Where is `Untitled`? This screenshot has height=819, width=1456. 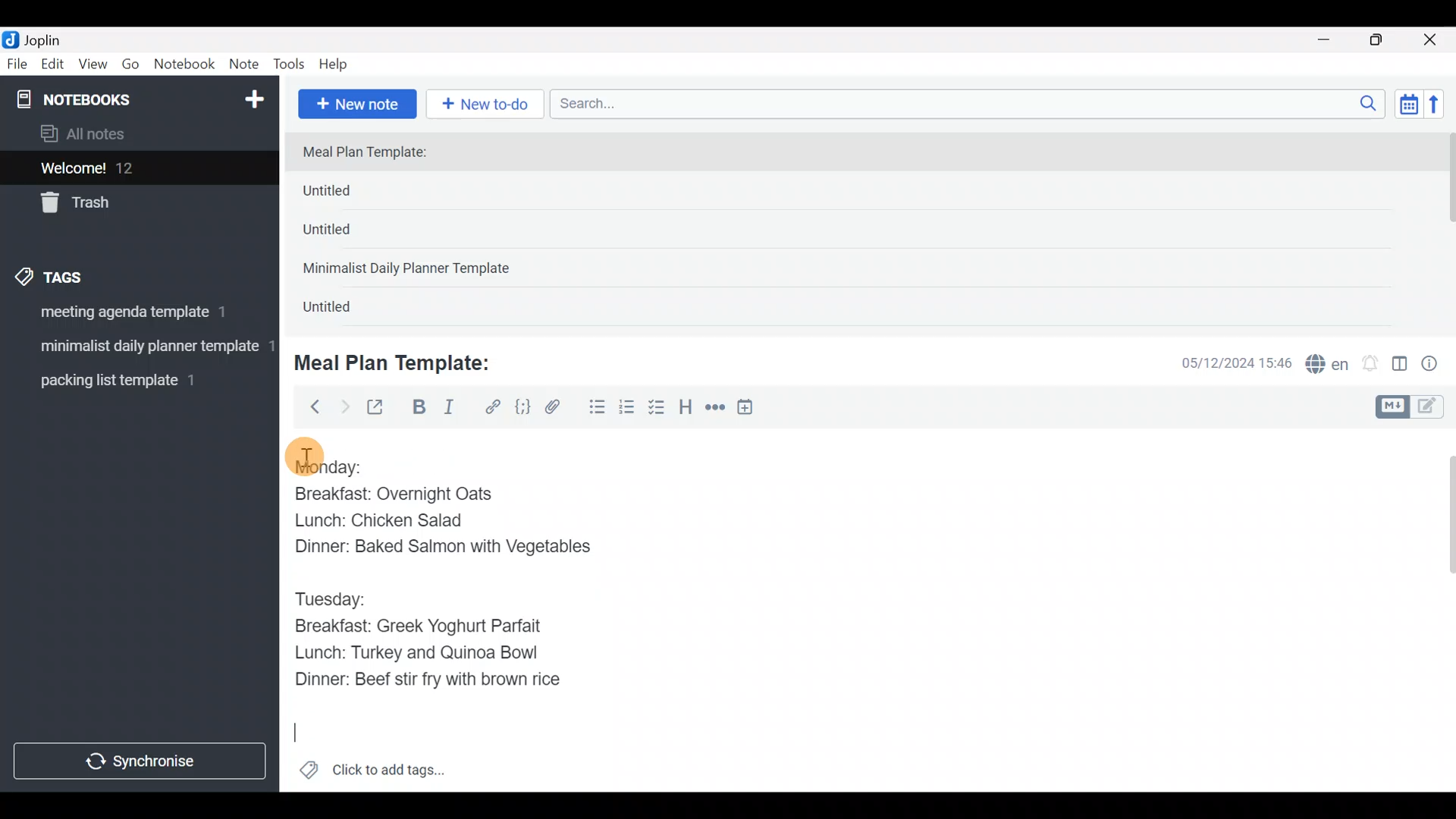
Untitled is located at coordinates (347, 234).